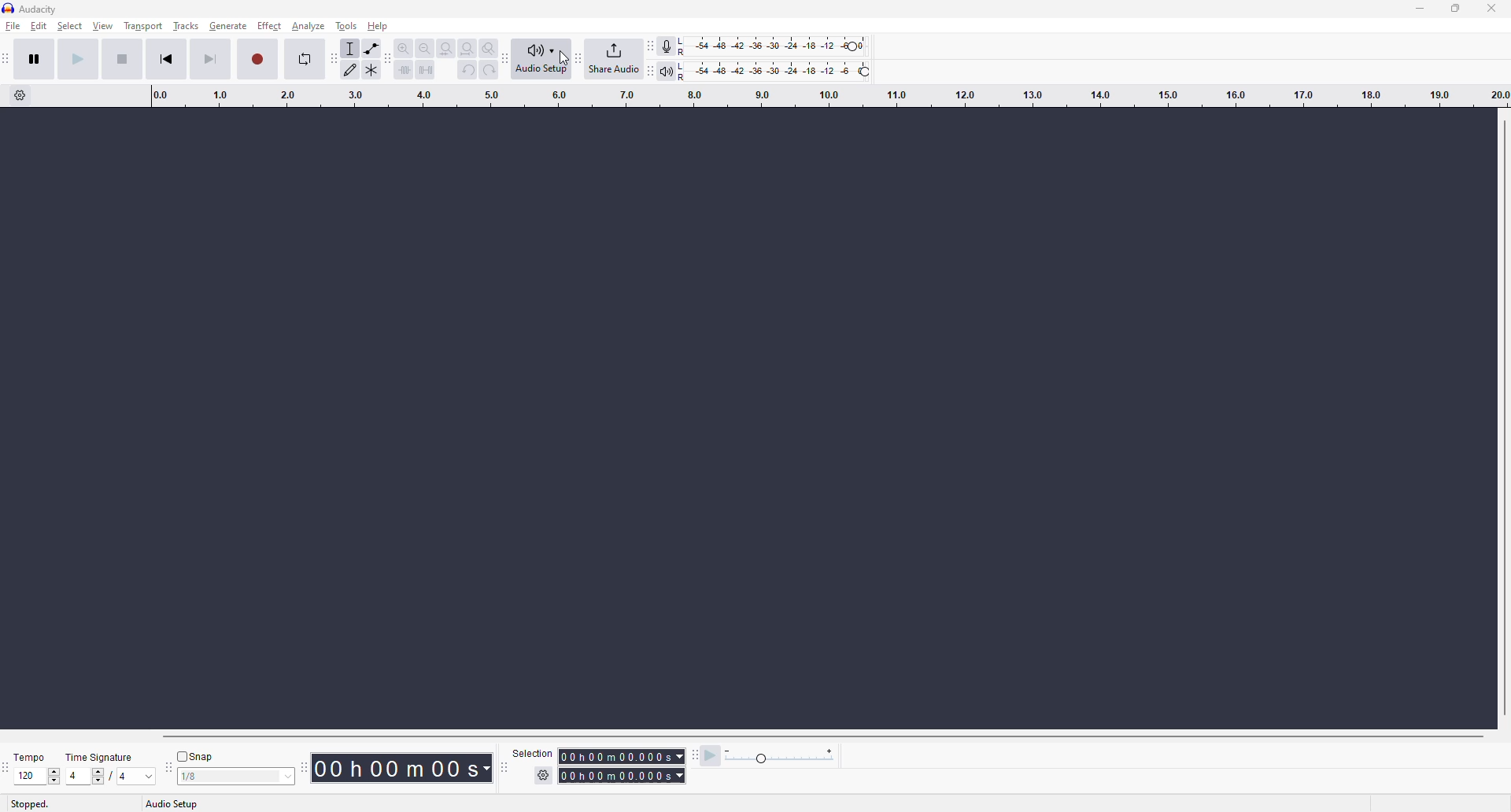 This screenshot has width=1511, height=812. Describe the element at coordinates (35, 57) in the screenshot. I see `pause` at that location.